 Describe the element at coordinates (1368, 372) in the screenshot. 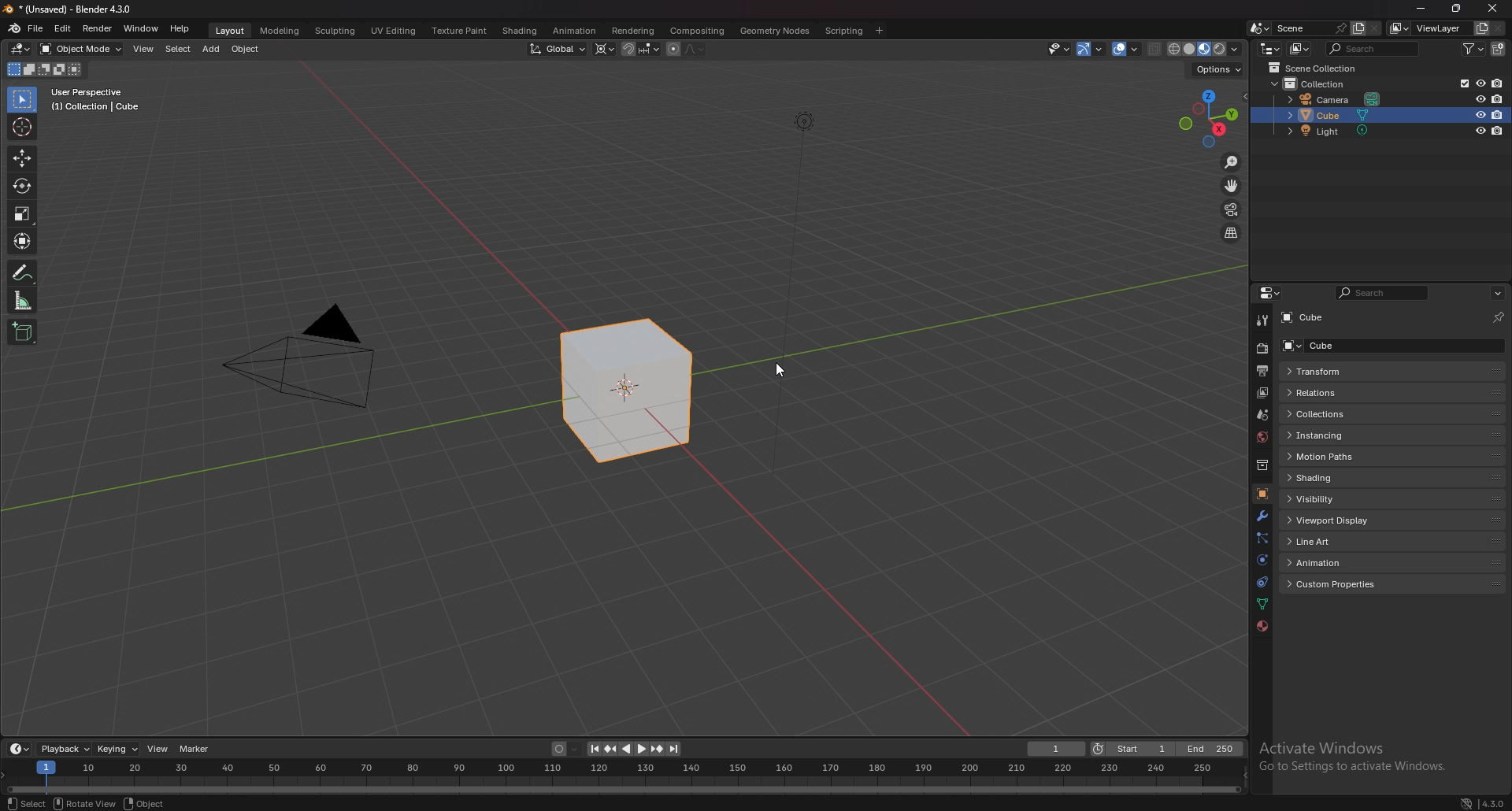

I see `transform` at that location.